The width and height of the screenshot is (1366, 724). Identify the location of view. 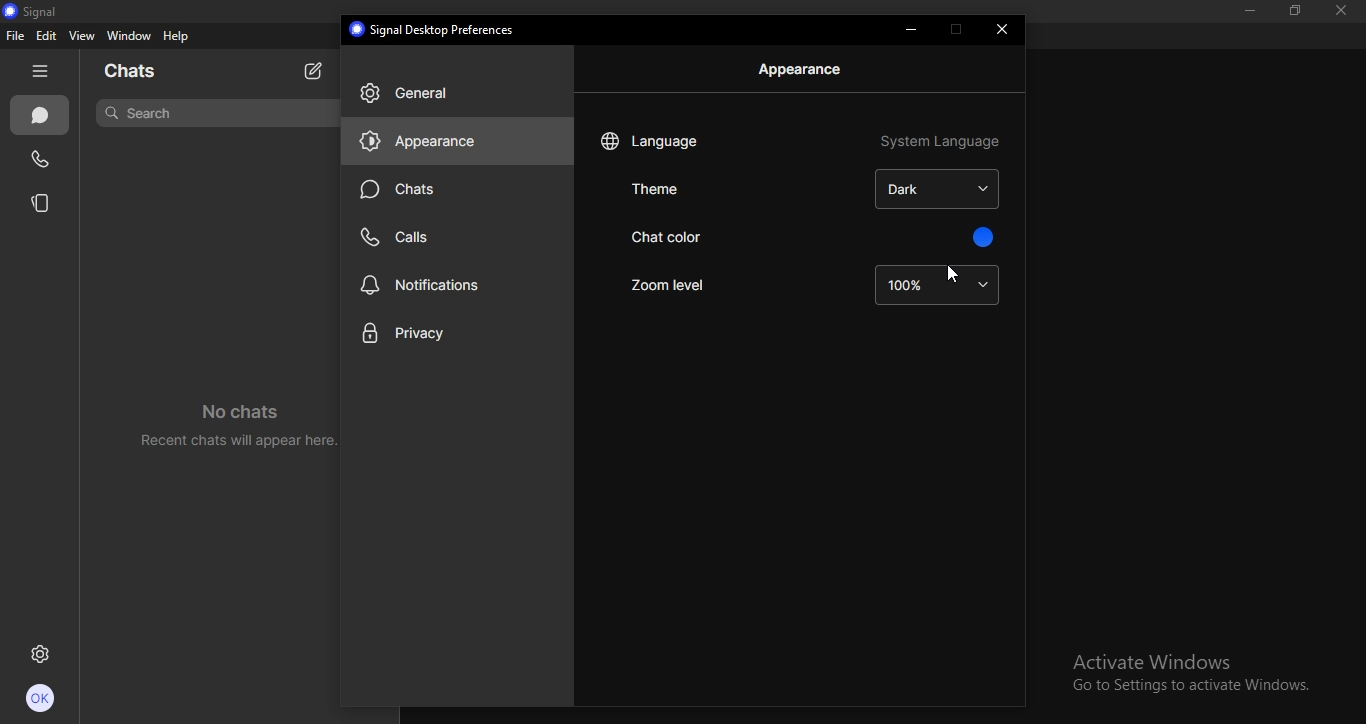
(81, 36).